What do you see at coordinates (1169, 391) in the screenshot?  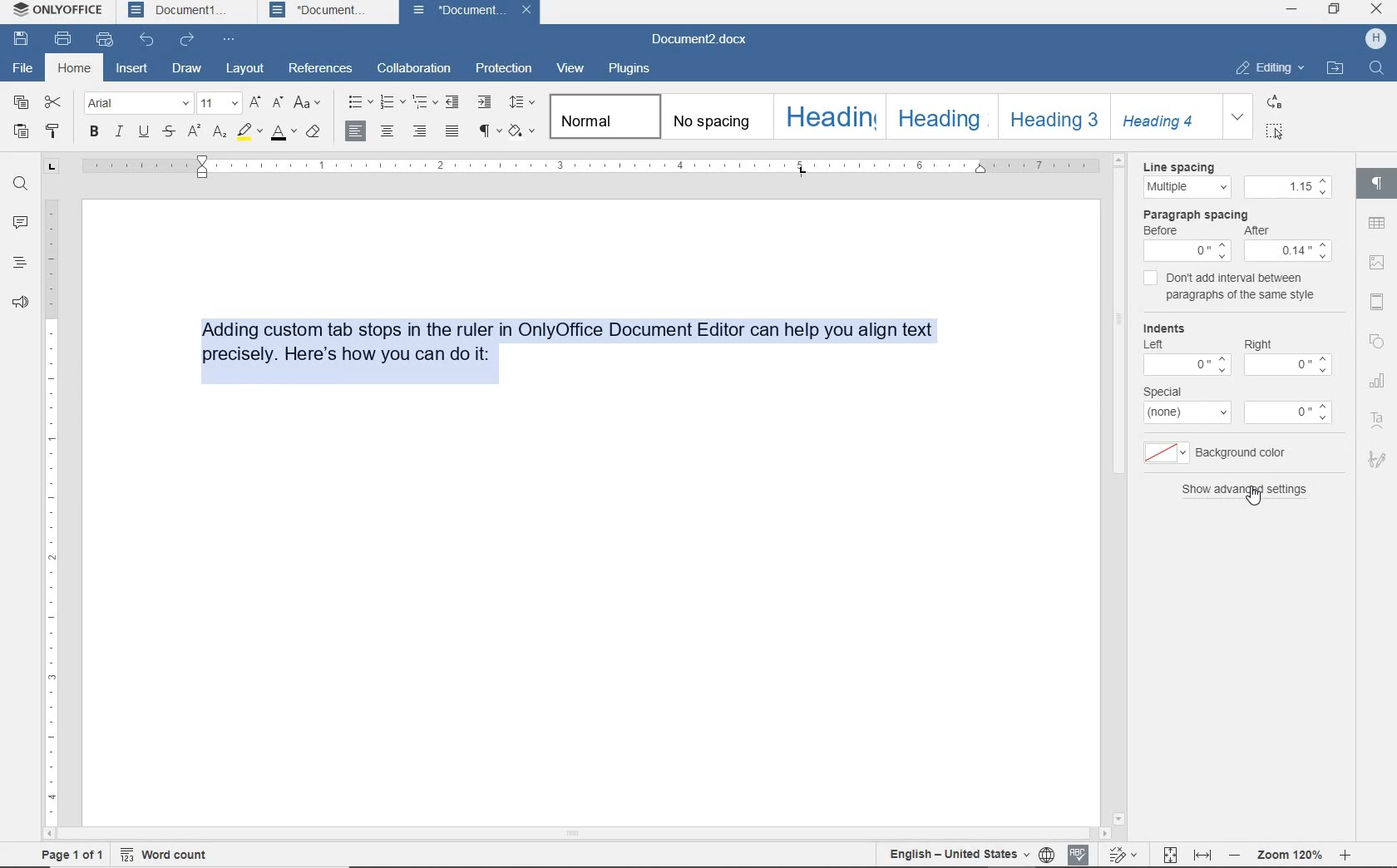 I see `special` at bounding box center [1169, 391].